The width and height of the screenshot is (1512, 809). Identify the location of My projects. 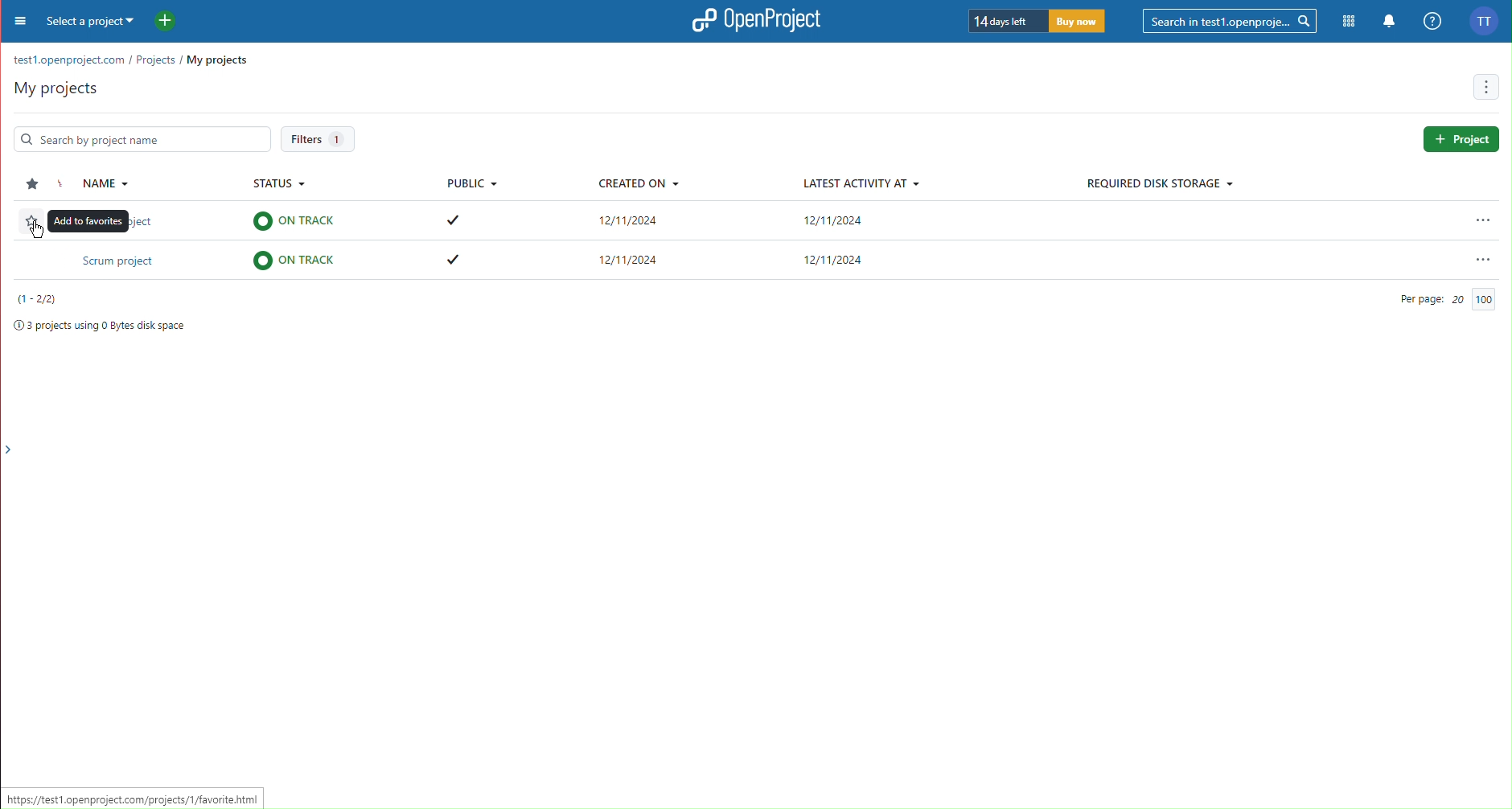
(52, 88).